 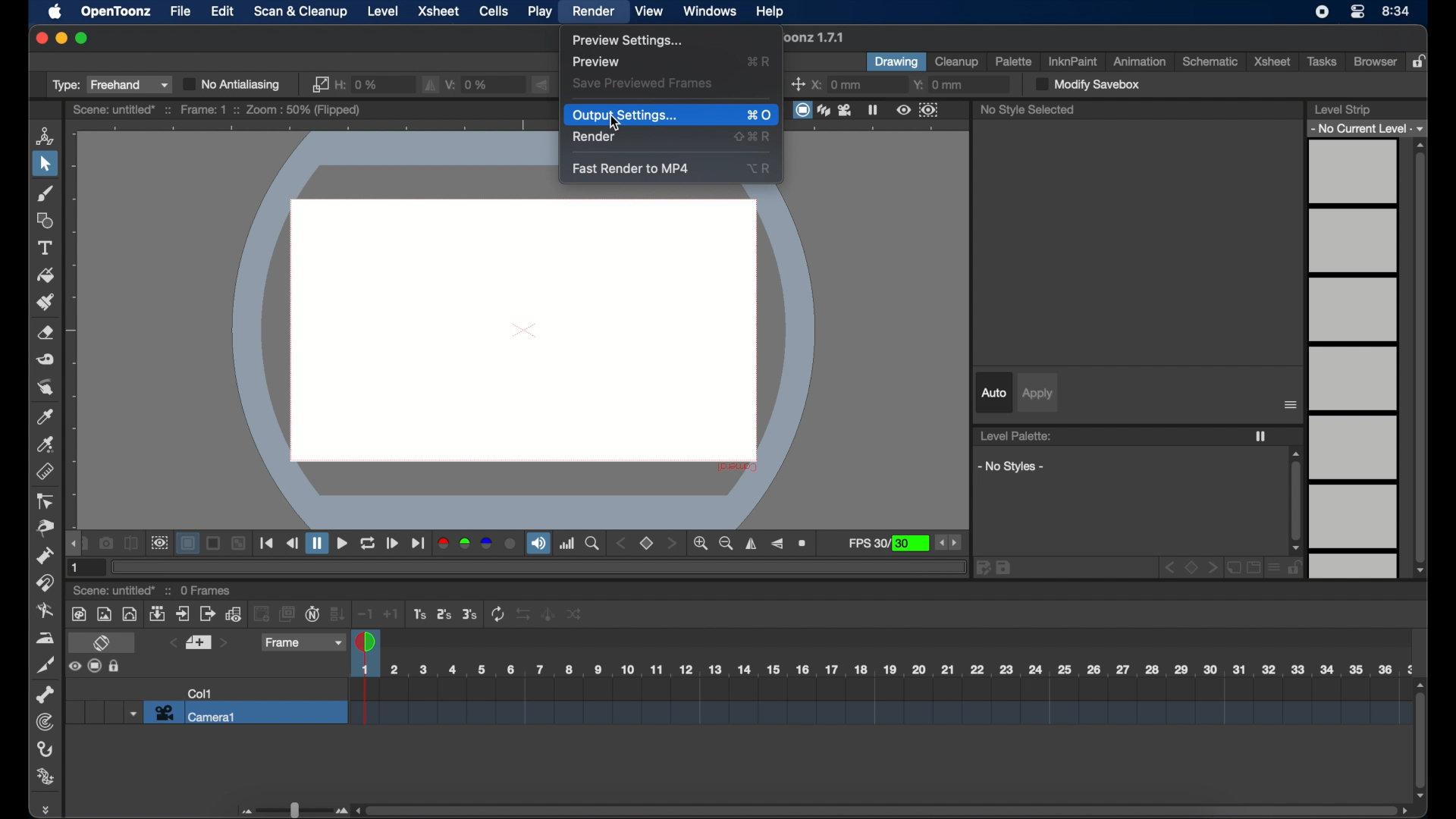 I want to click on , so click(x=1215, y=568).